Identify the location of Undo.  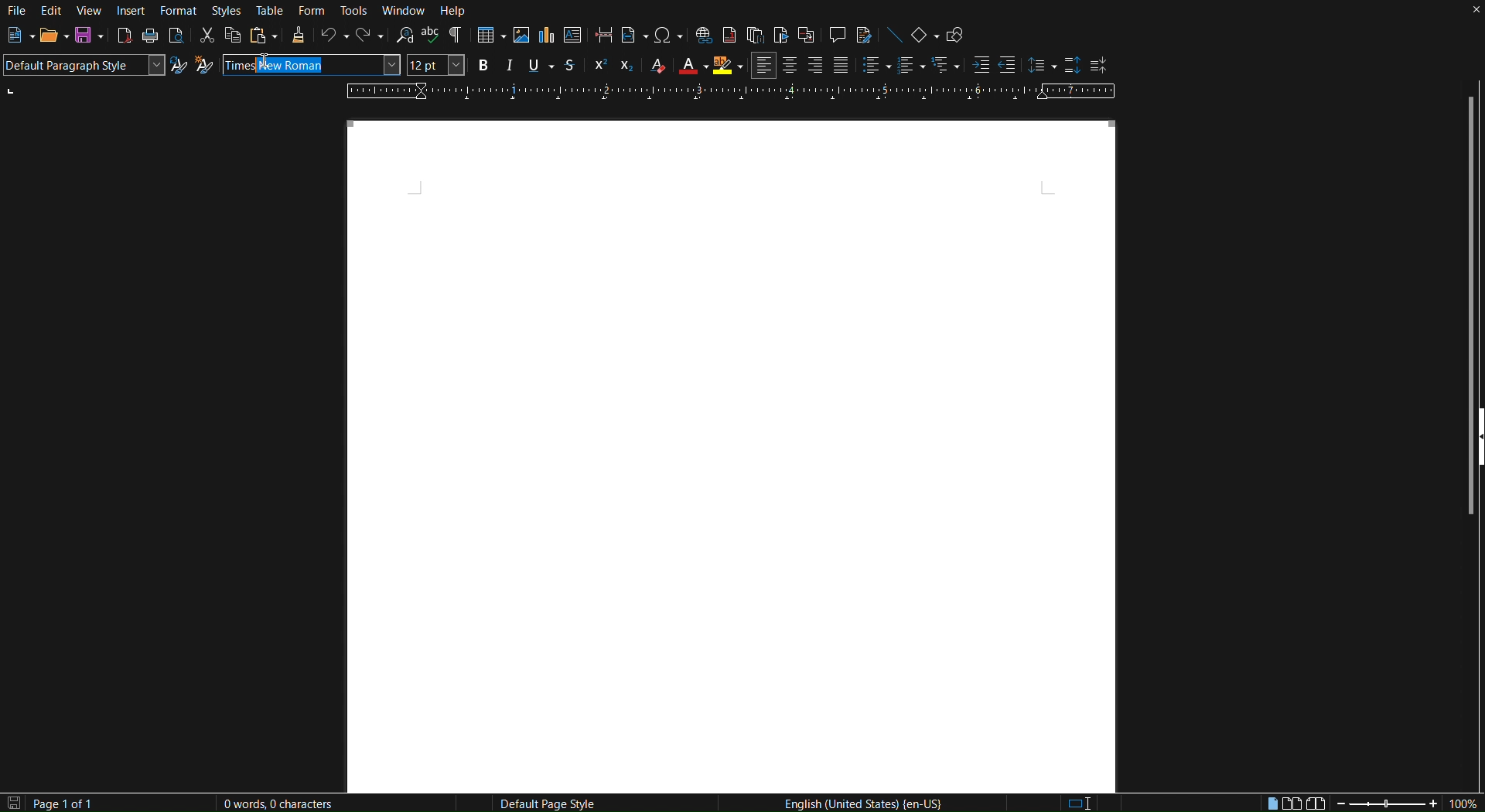
(332, 37).